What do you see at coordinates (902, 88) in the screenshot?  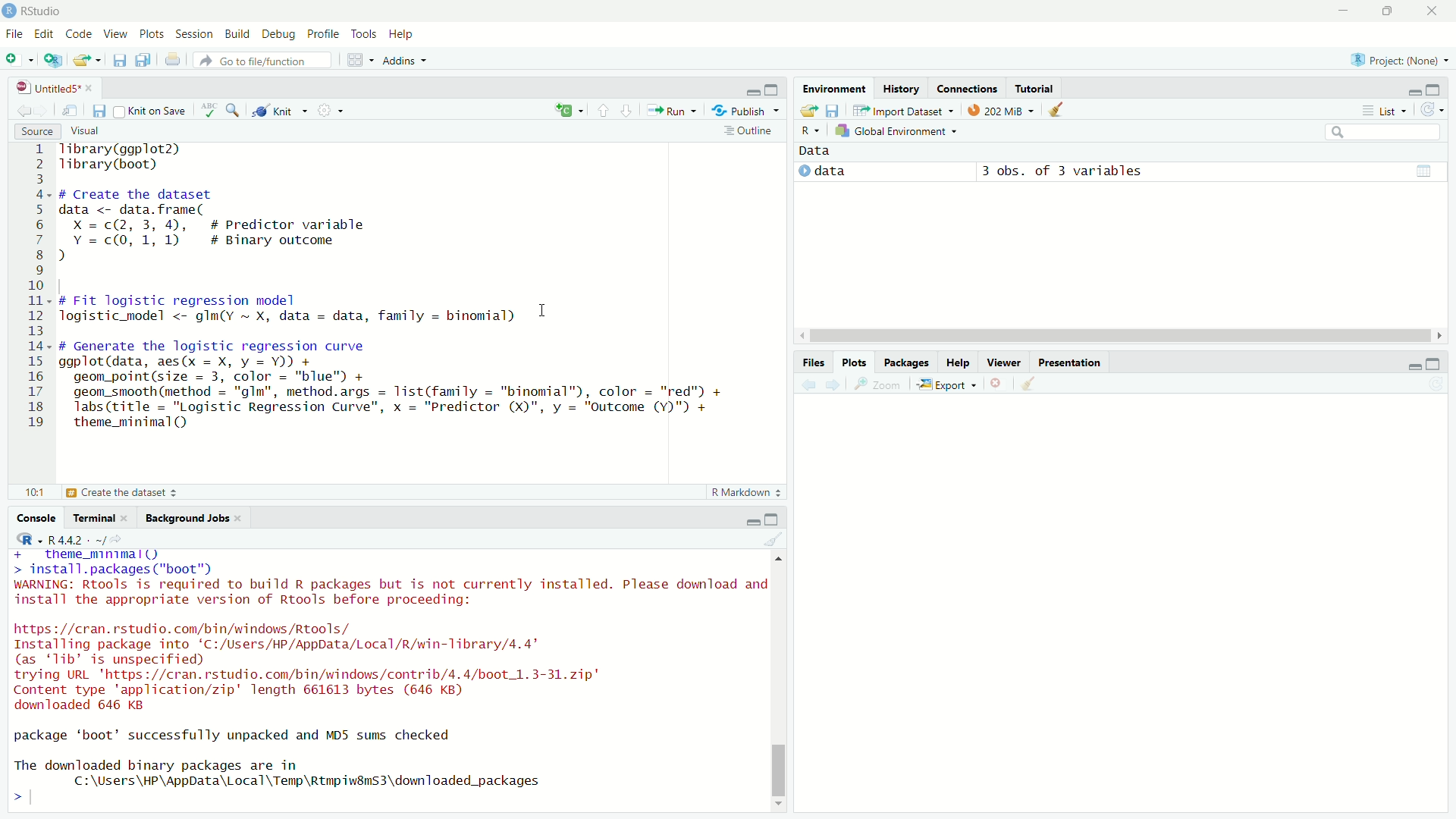 I see `History` at bounding box center [902, 88].